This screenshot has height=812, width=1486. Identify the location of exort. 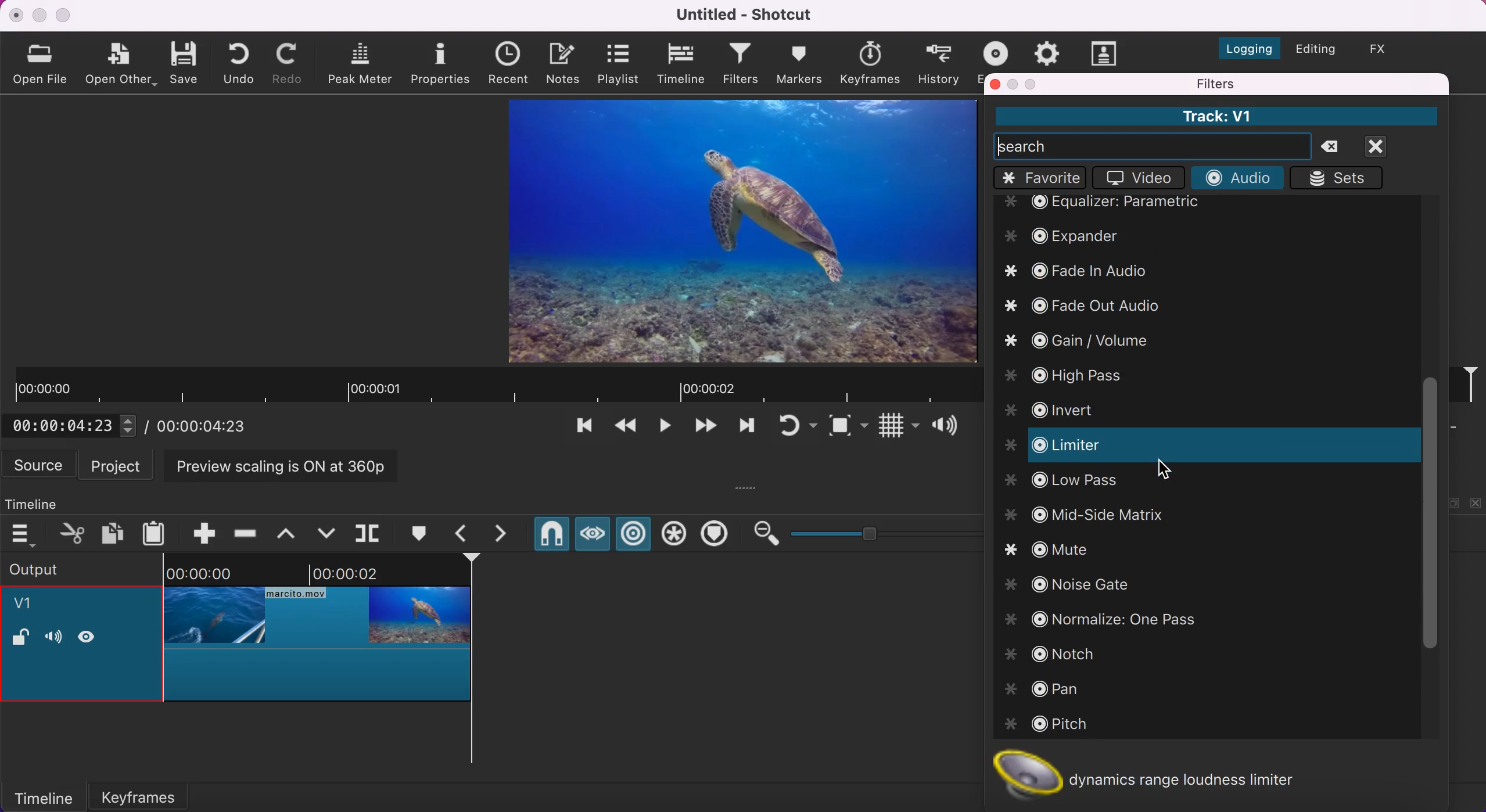
(999, 51).